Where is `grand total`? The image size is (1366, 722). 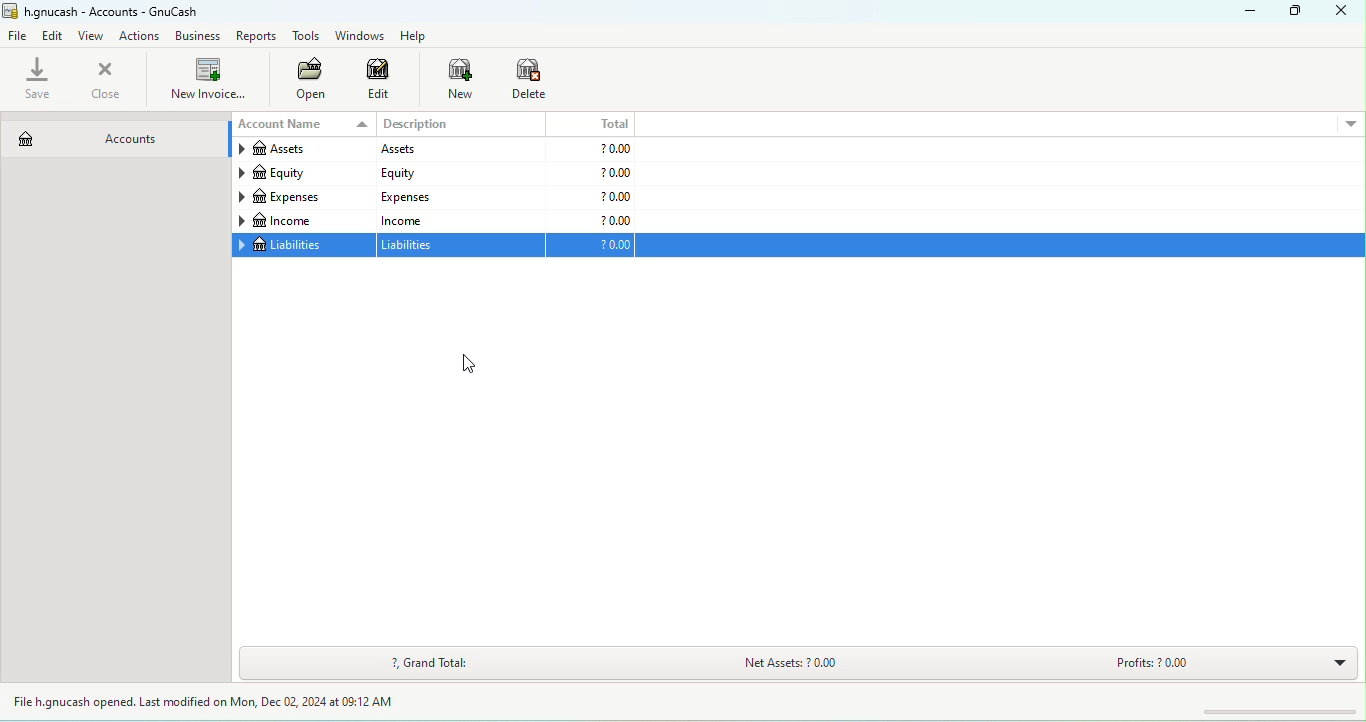 grand total is located at coordinates (430, 664).